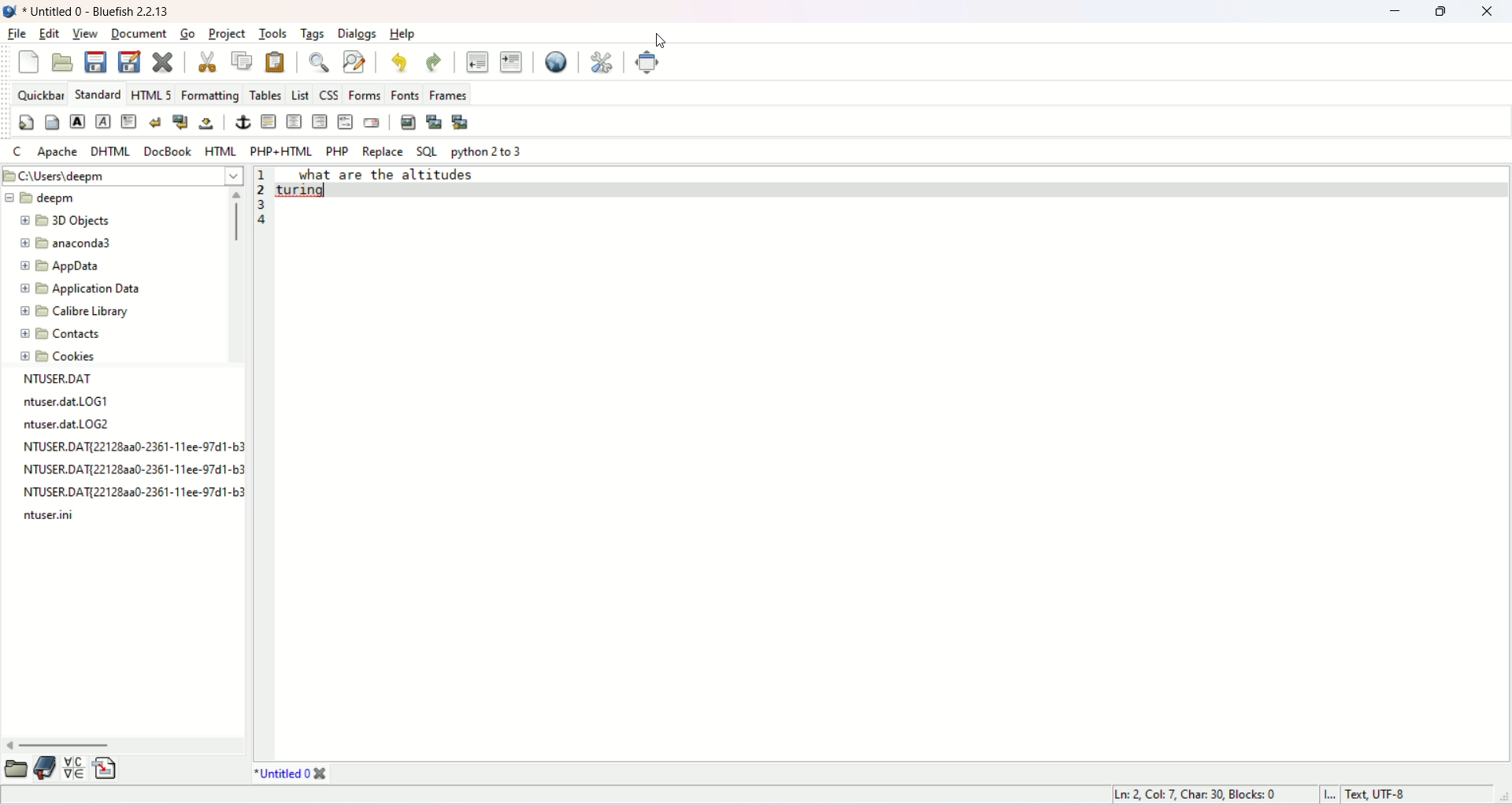  I want to click on strong, so click(77, 121).